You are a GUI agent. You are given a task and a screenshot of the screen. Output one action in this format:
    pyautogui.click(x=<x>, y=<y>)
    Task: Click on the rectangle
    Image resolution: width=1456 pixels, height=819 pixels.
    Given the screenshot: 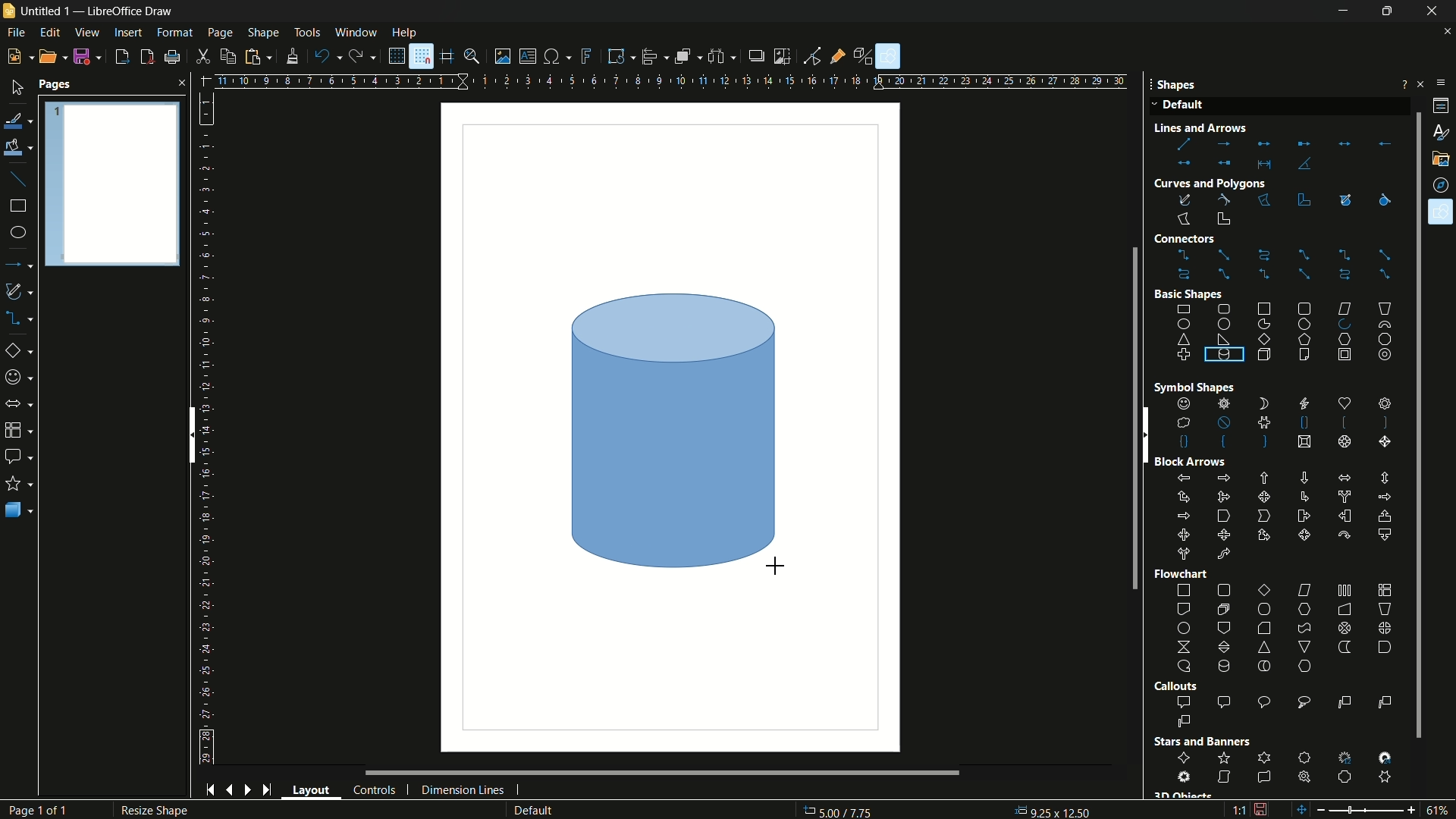 What is the action you would take?
    pyautogui.click(x=18, y=206)
    